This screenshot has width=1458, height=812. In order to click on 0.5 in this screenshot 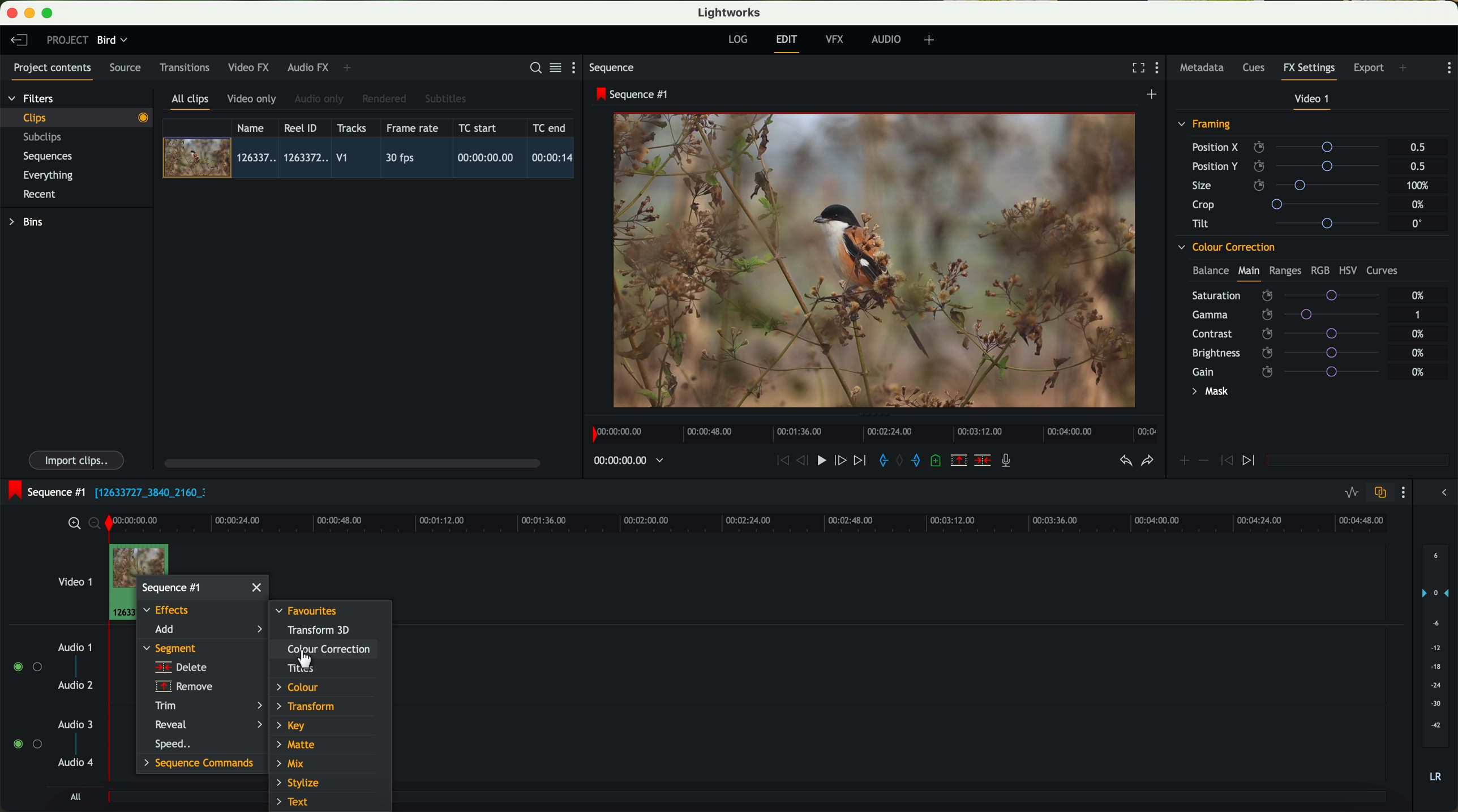, I will do `click(1417, 166)`.